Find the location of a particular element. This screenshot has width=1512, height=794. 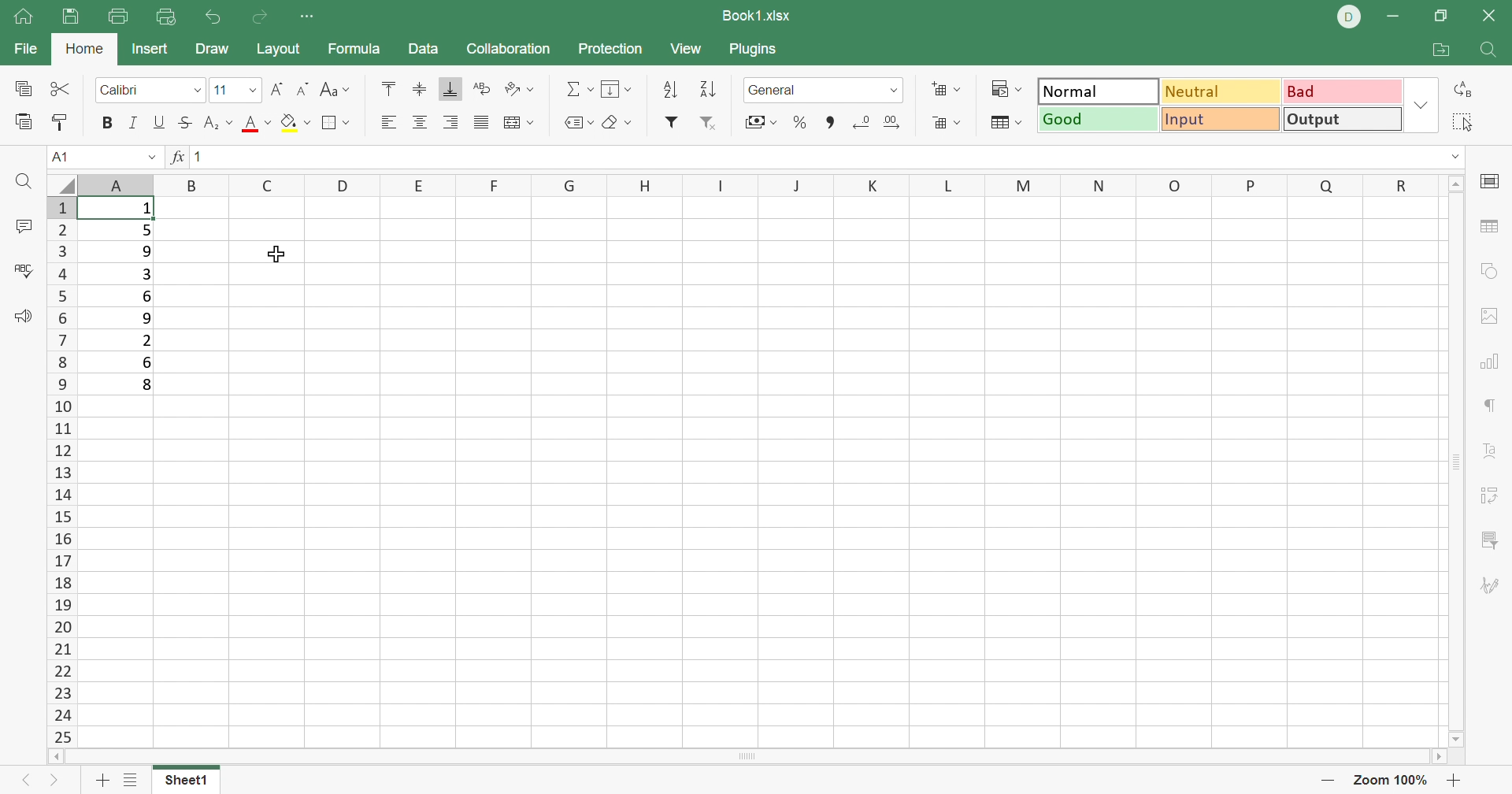

Check spelling is located at coordinates (26, 273).